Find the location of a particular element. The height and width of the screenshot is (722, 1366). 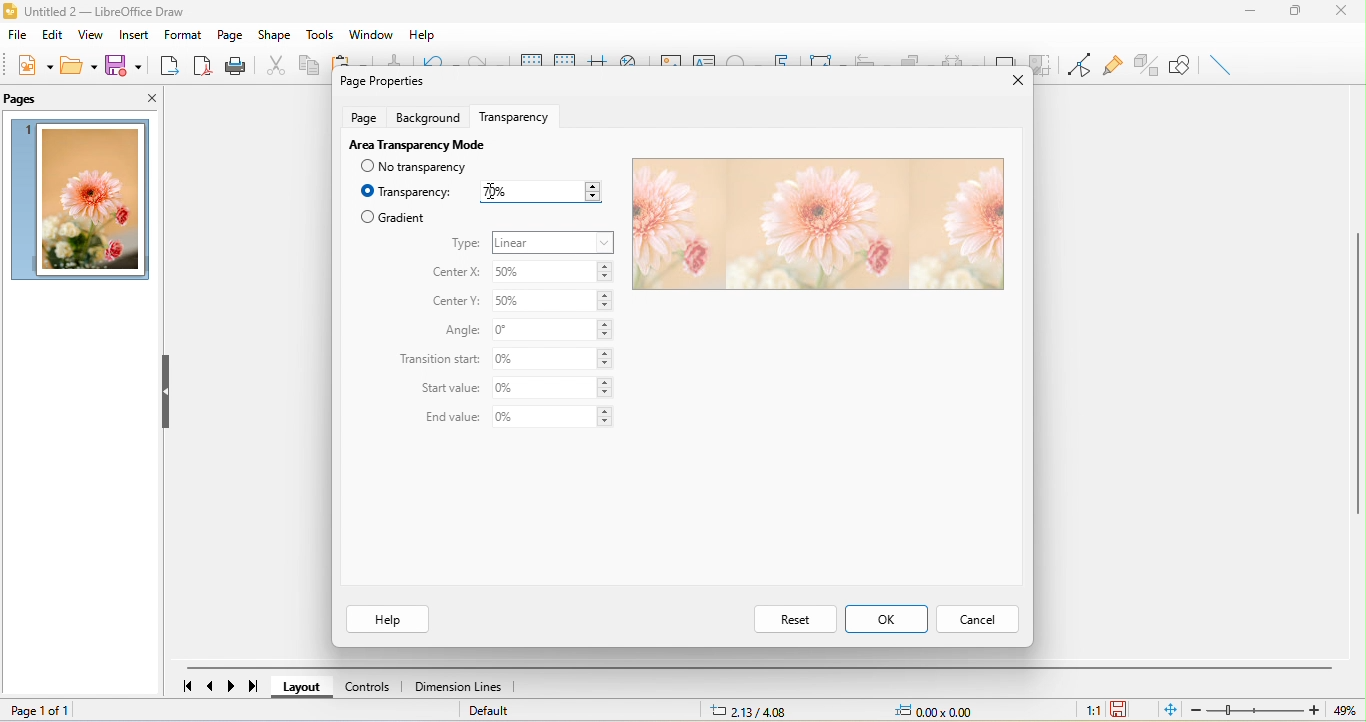

close is located at coordinates (1346, 14).